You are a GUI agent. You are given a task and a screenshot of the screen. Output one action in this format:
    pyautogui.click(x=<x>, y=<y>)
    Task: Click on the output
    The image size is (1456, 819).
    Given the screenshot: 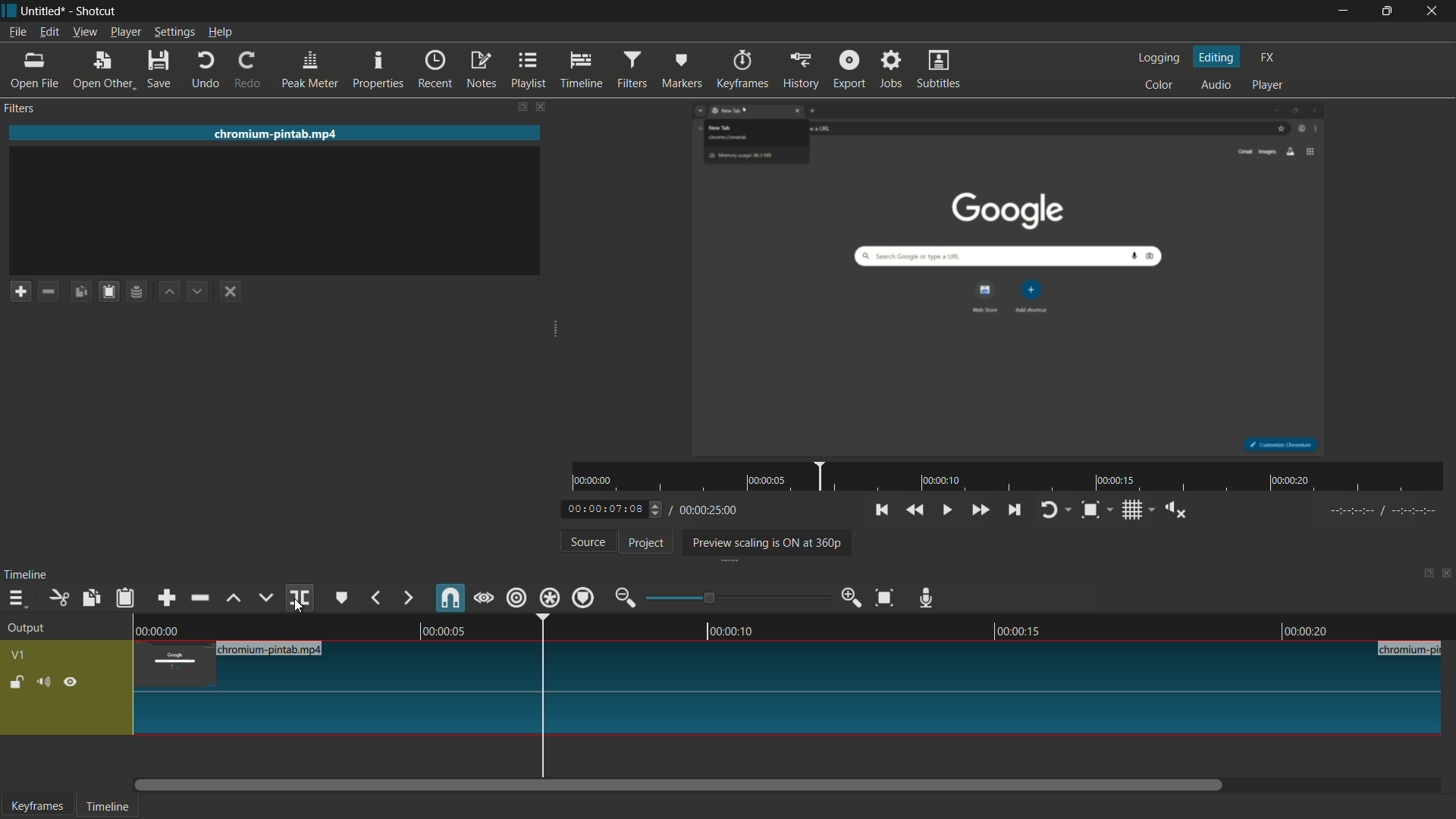 What is the action you would take?
    pyautogui.click(x=30, y=629)
    